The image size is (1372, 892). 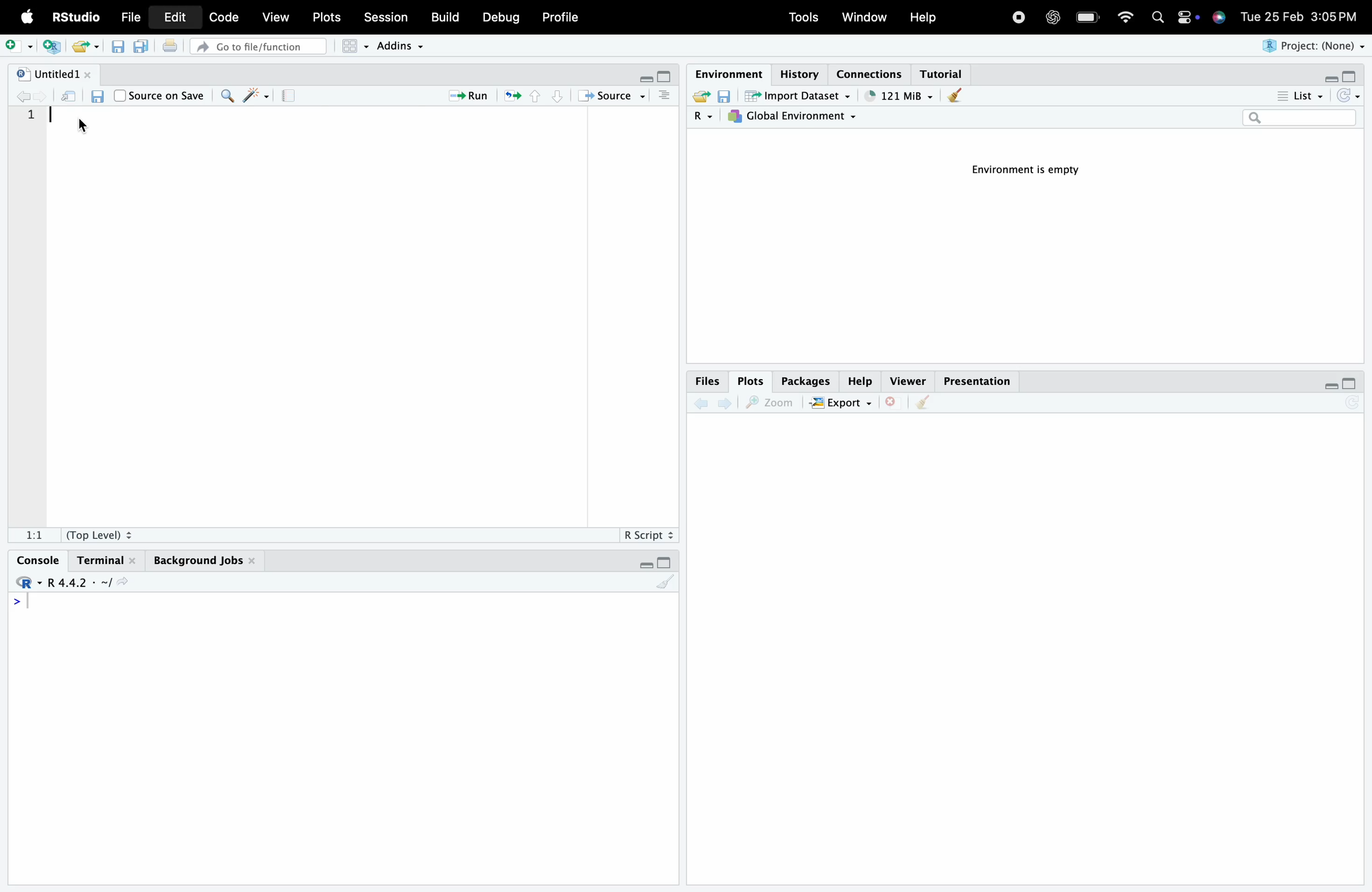 What do you see at coordinates (142, 47) in the screenshot?
I see `Save all open documents (Ctrl + Alt + S)` at bounding box center [142, 47].